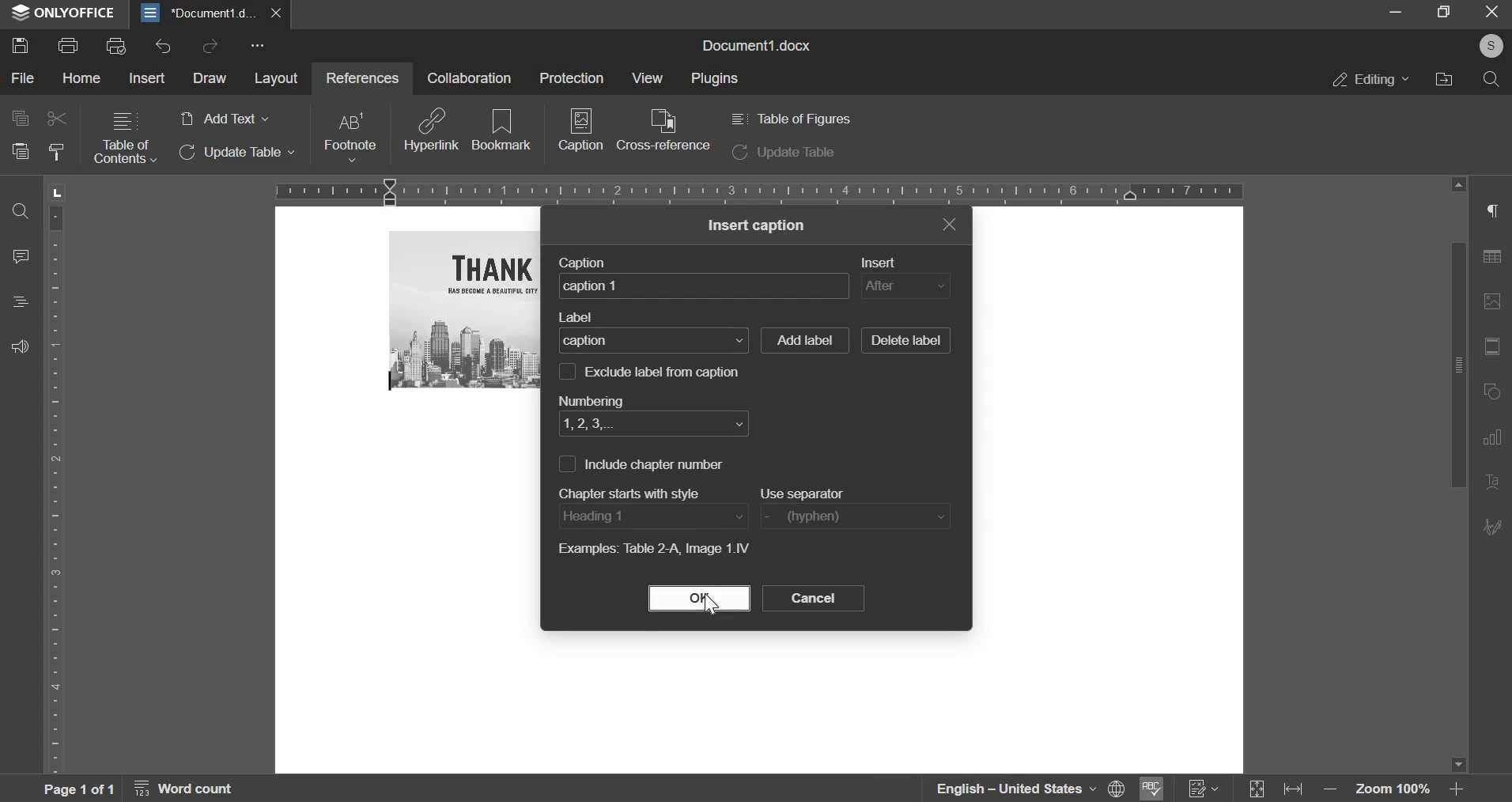 Image resolution: width=1512 pixels, height=802 pixels. Describe the element at coordinates (1004, 789) in the screenshot. I see `language` at that location.